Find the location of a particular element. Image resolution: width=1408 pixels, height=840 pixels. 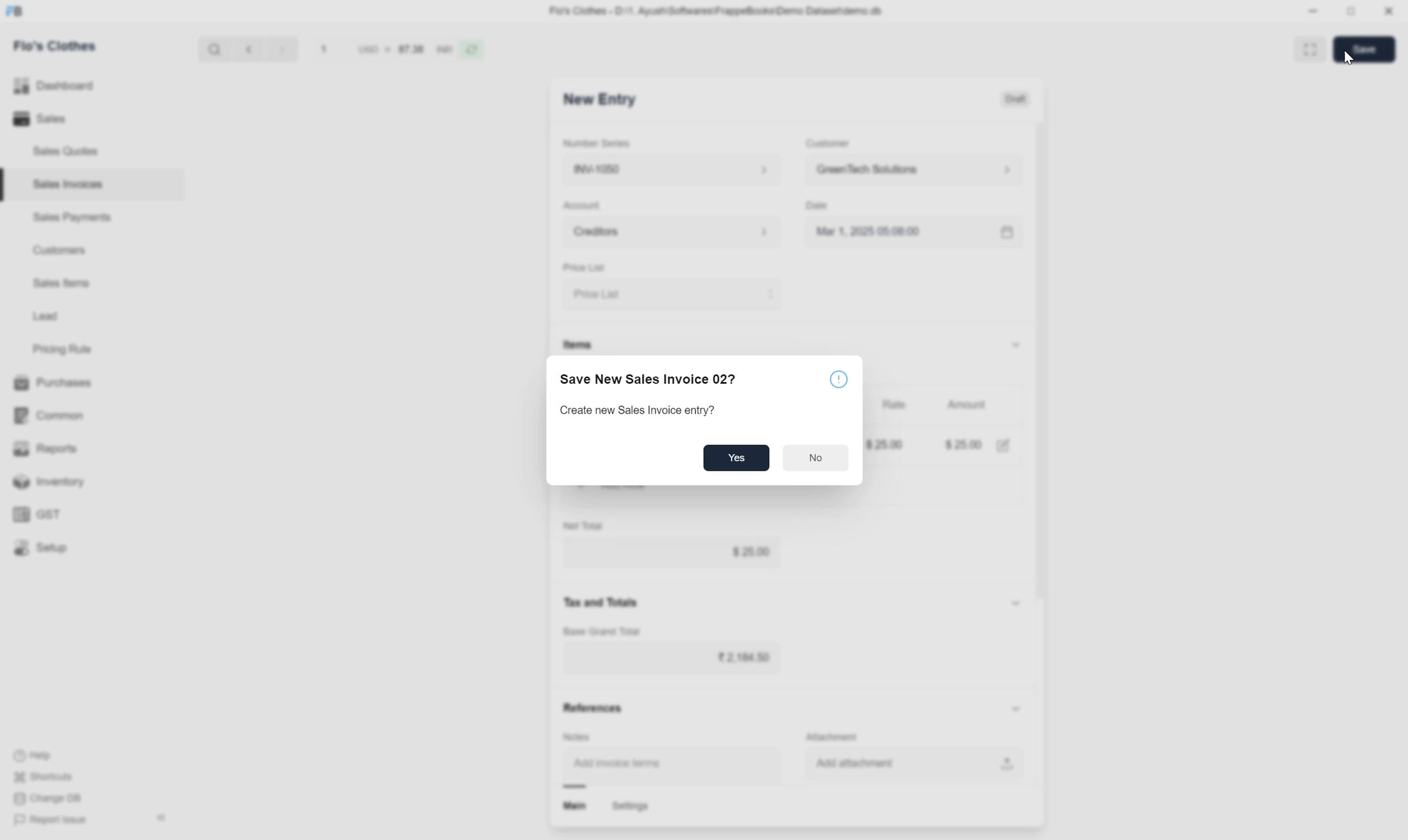

Customers is located at coordinates (58, 252).